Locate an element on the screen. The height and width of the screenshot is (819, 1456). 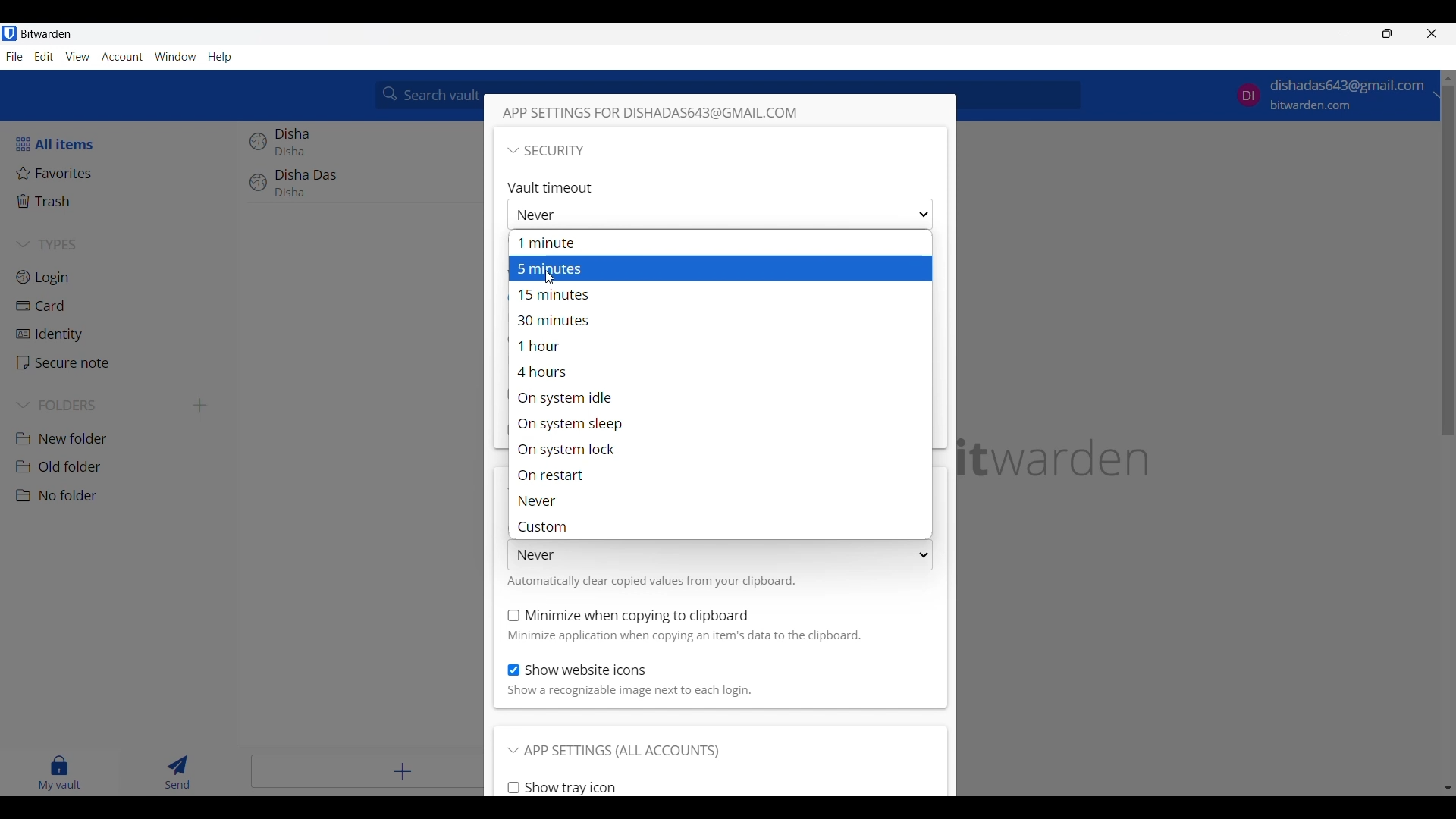
15 minutes is located at coordinates (720, 294).